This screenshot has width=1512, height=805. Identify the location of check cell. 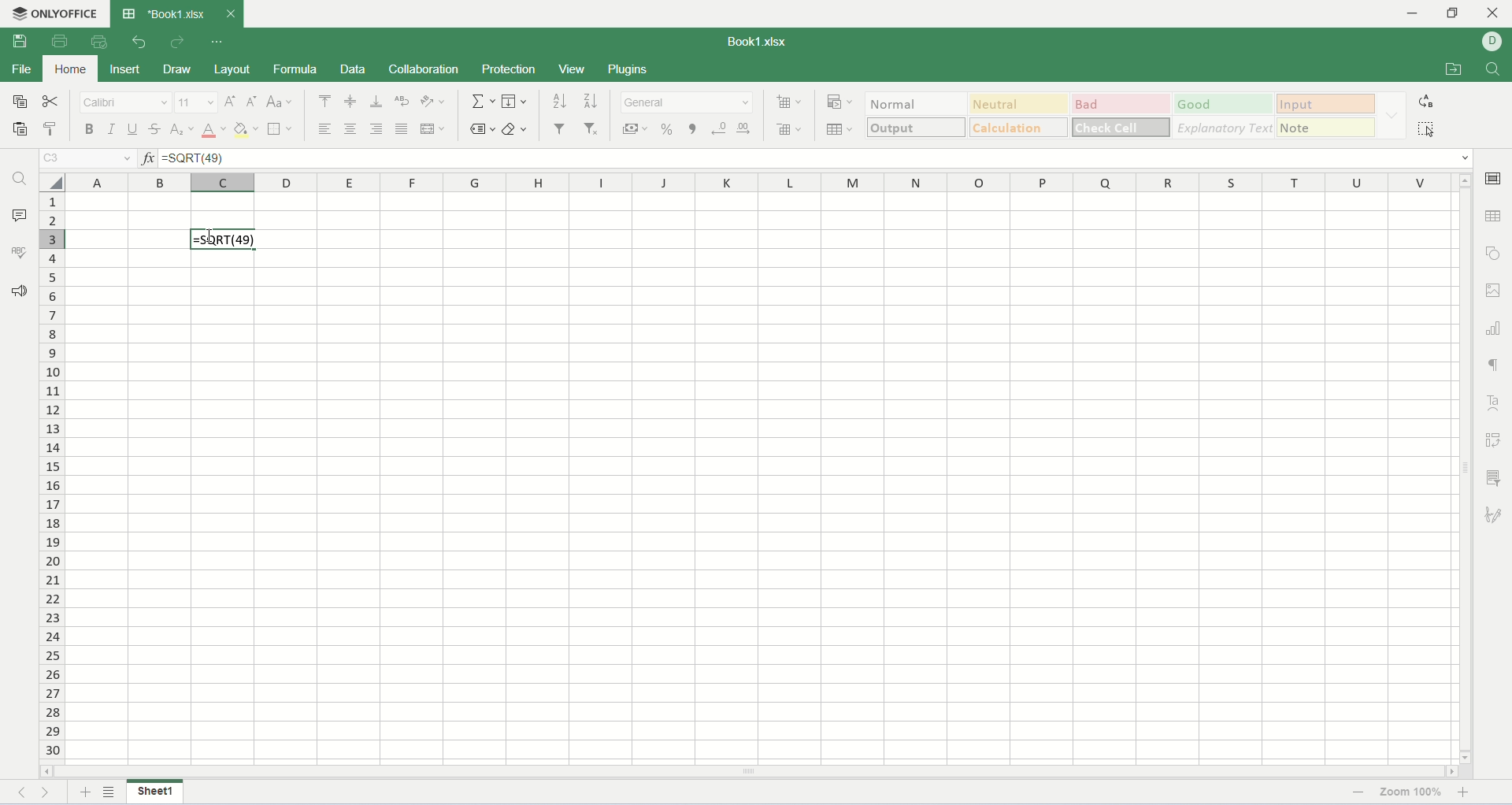
(1121, 127).